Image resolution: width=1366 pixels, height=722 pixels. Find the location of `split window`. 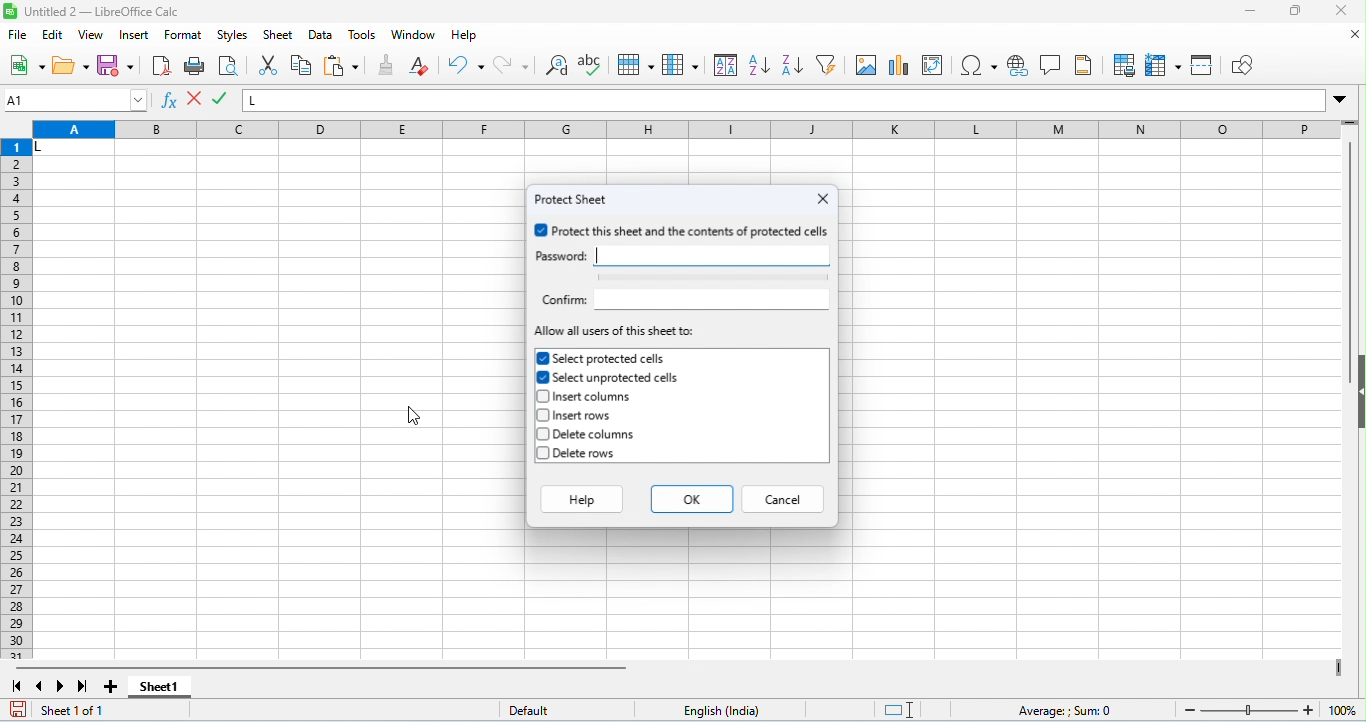

split window is located at coordinates (1204, 64).